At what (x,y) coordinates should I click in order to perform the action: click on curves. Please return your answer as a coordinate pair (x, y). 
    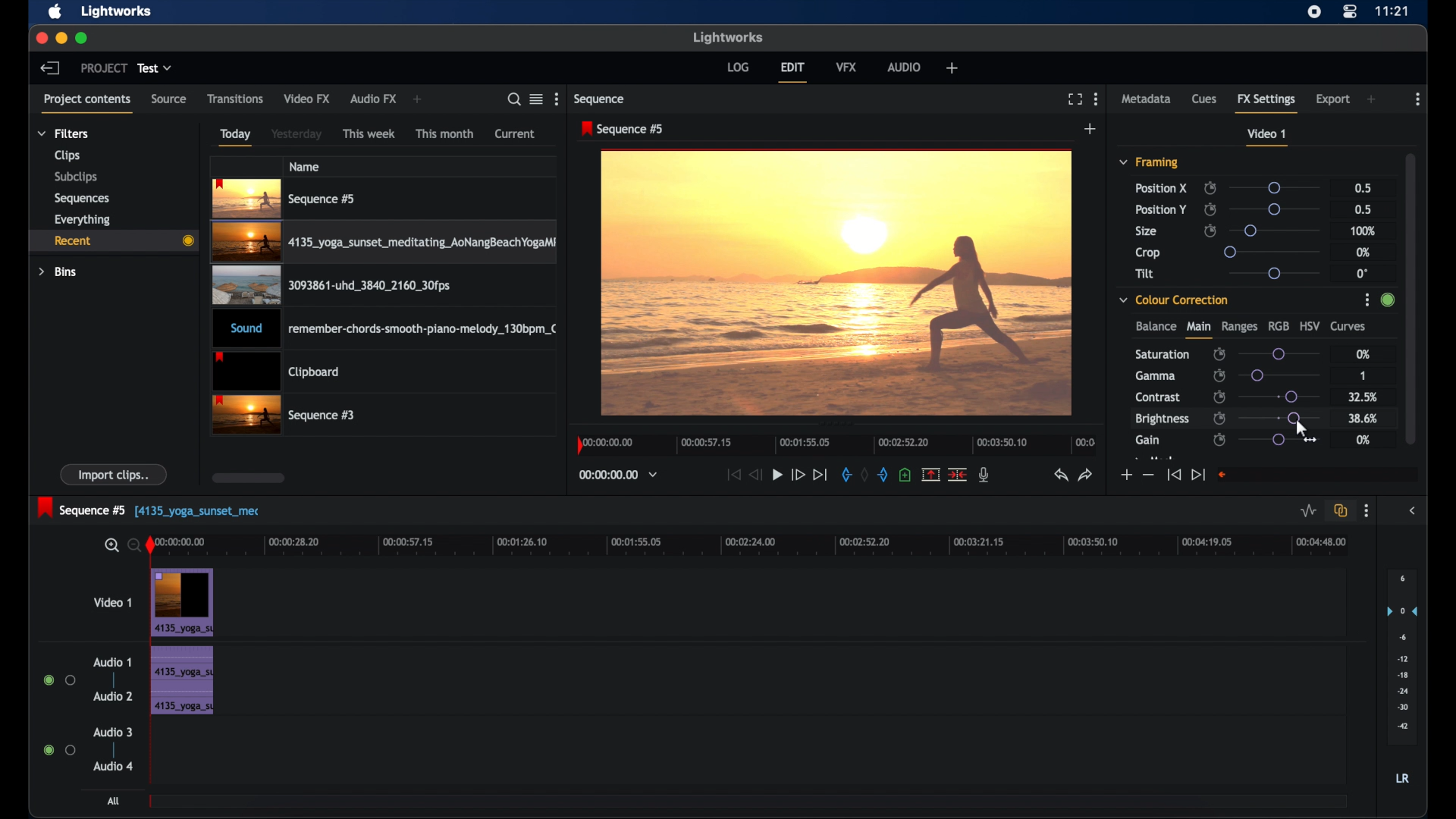
    Looking at the image, I should click on (1348, 327).